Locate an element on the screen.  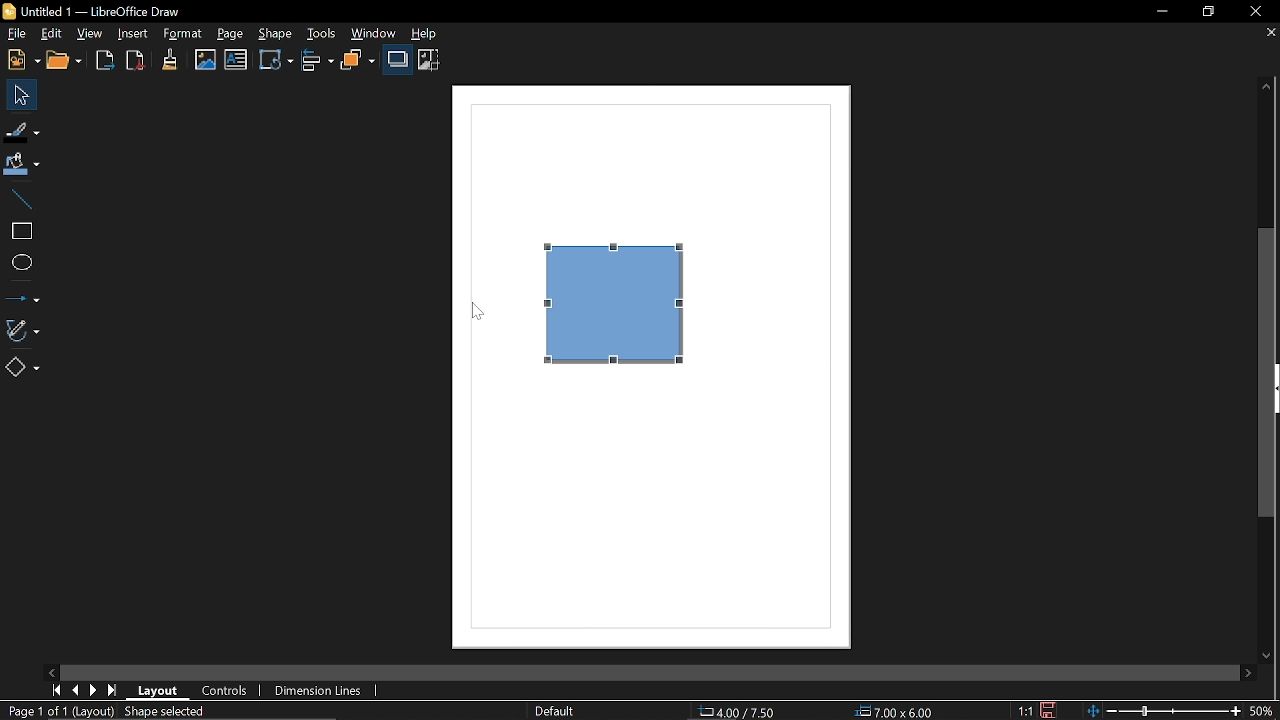
Clone formatting is located at coordinates (170, 59).